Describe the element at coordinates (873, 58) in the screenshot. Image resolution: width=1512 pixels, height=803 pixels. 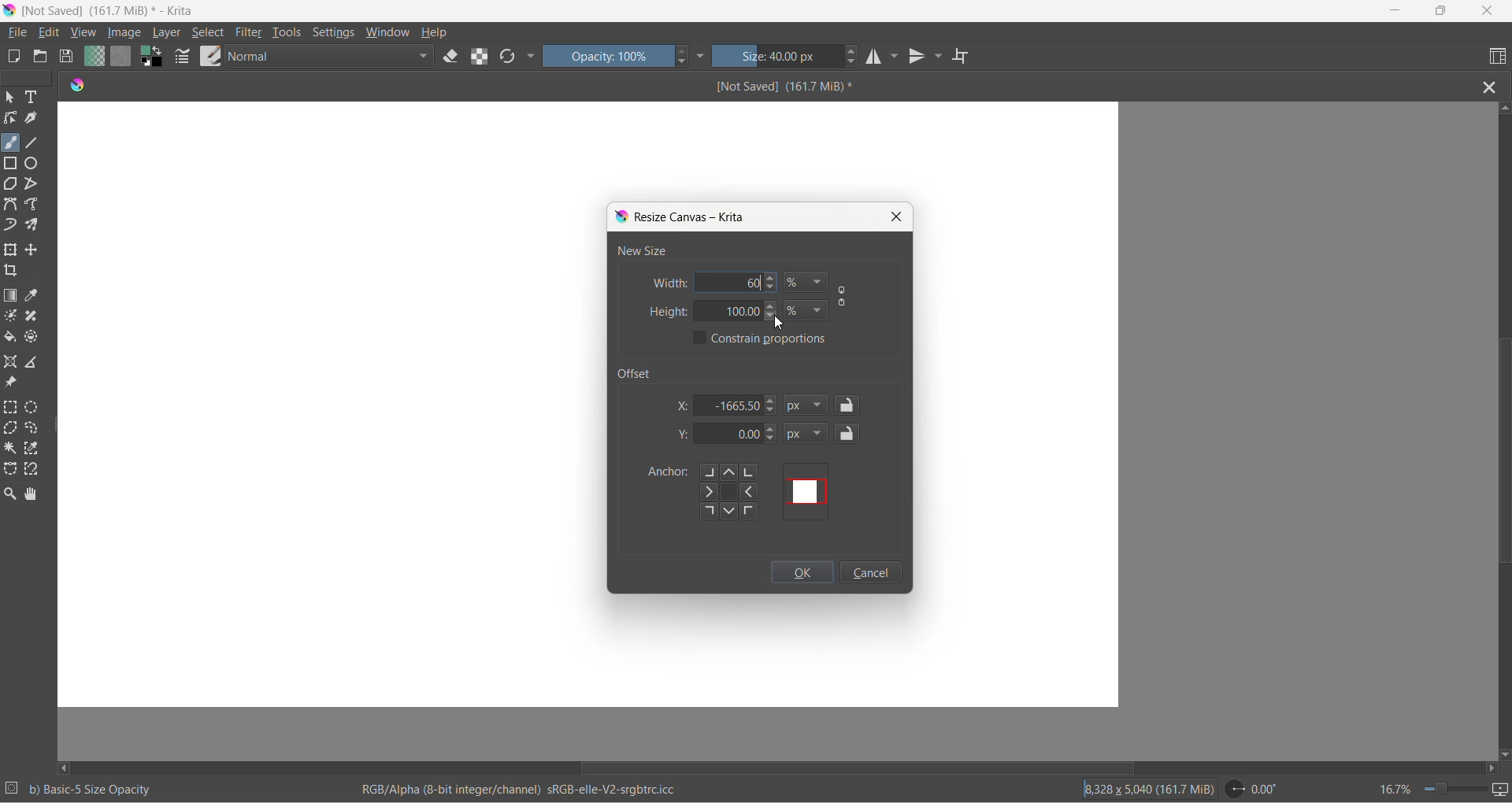
I see `horizontal mirror tool` at that location.